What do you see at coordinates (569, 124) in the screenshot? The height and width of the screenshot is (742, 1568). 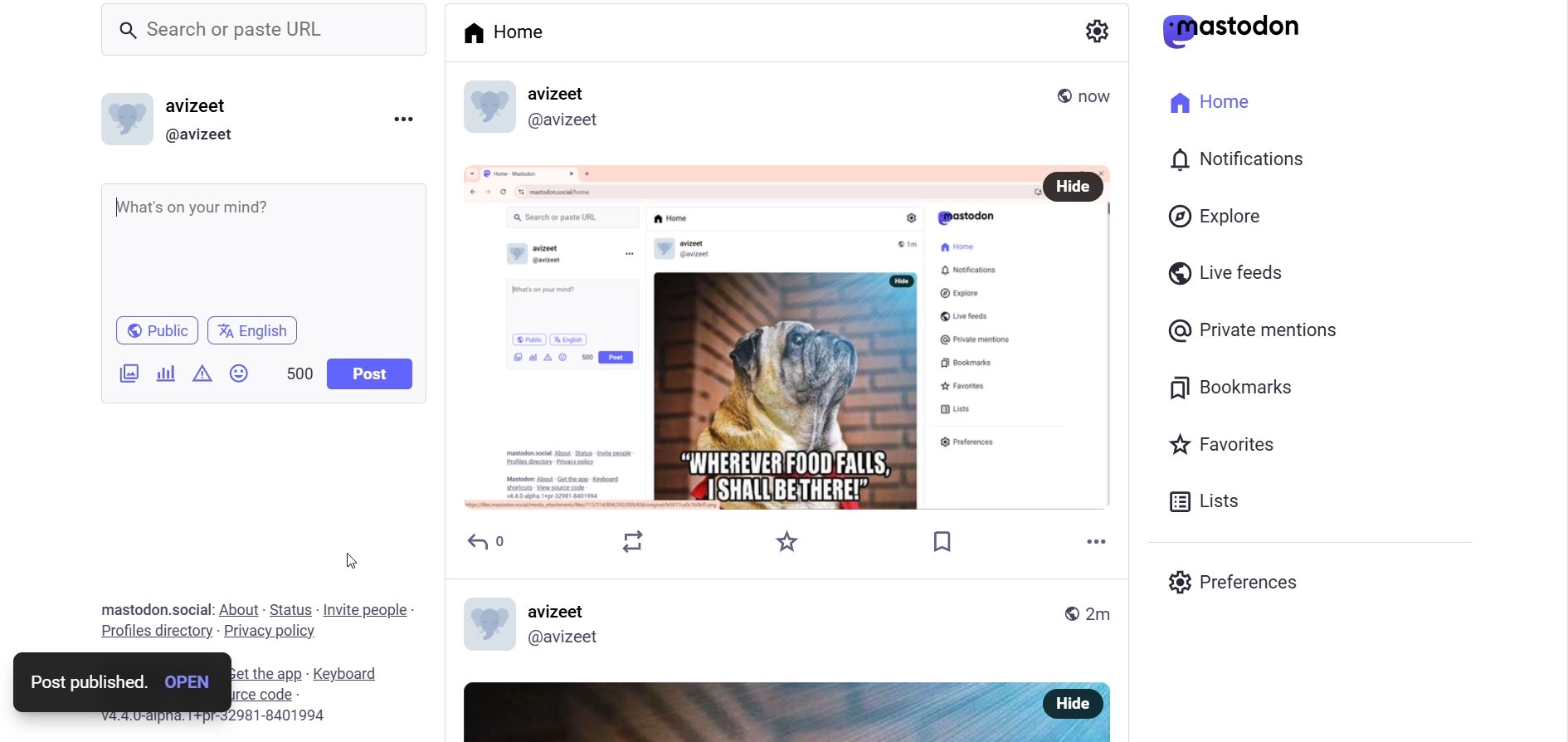 I see `@avizeet` at bounding box center [569, 124].